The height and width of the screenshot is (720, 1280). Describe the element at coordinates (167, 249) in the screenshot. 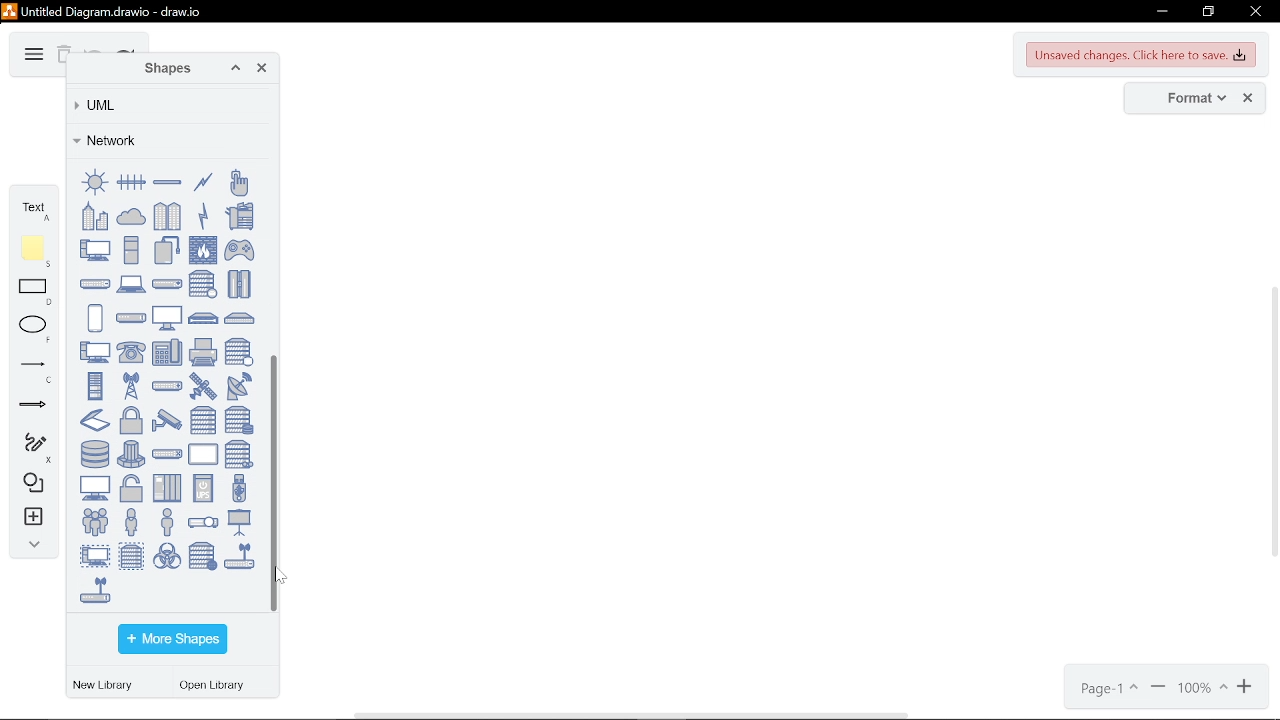

I see `external storage` at that location.